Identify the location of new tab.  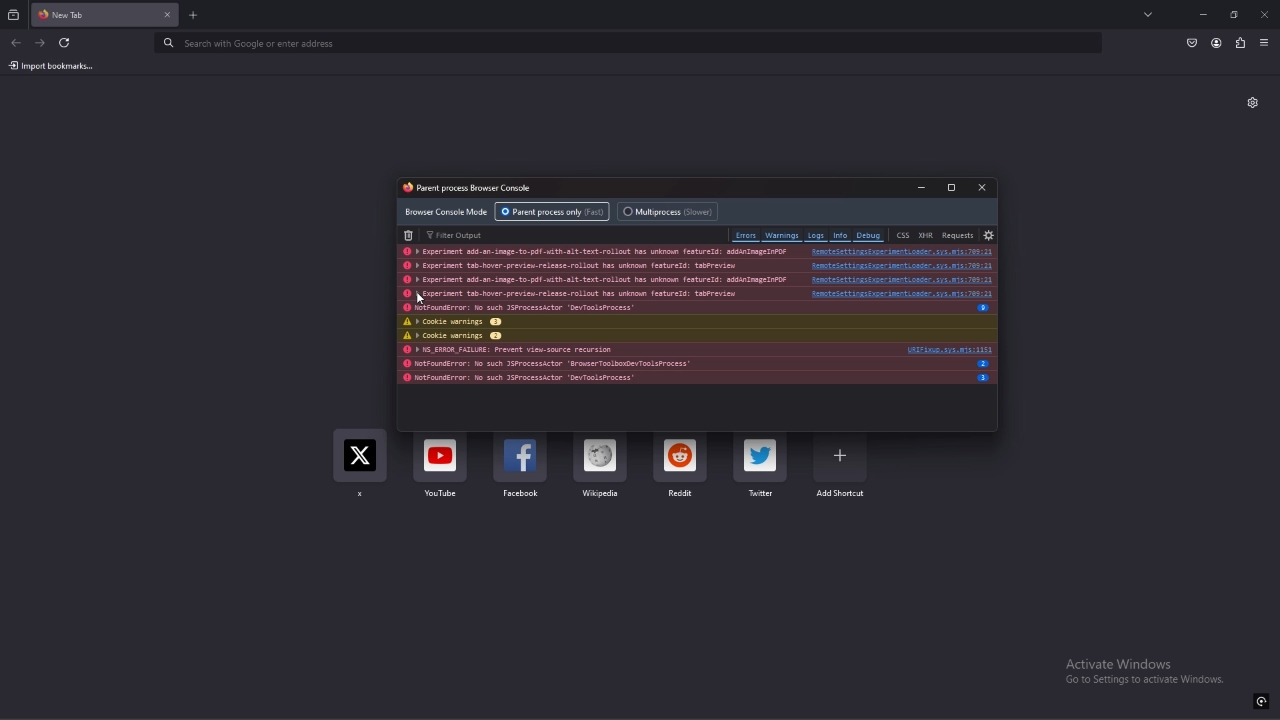
(194, 16).